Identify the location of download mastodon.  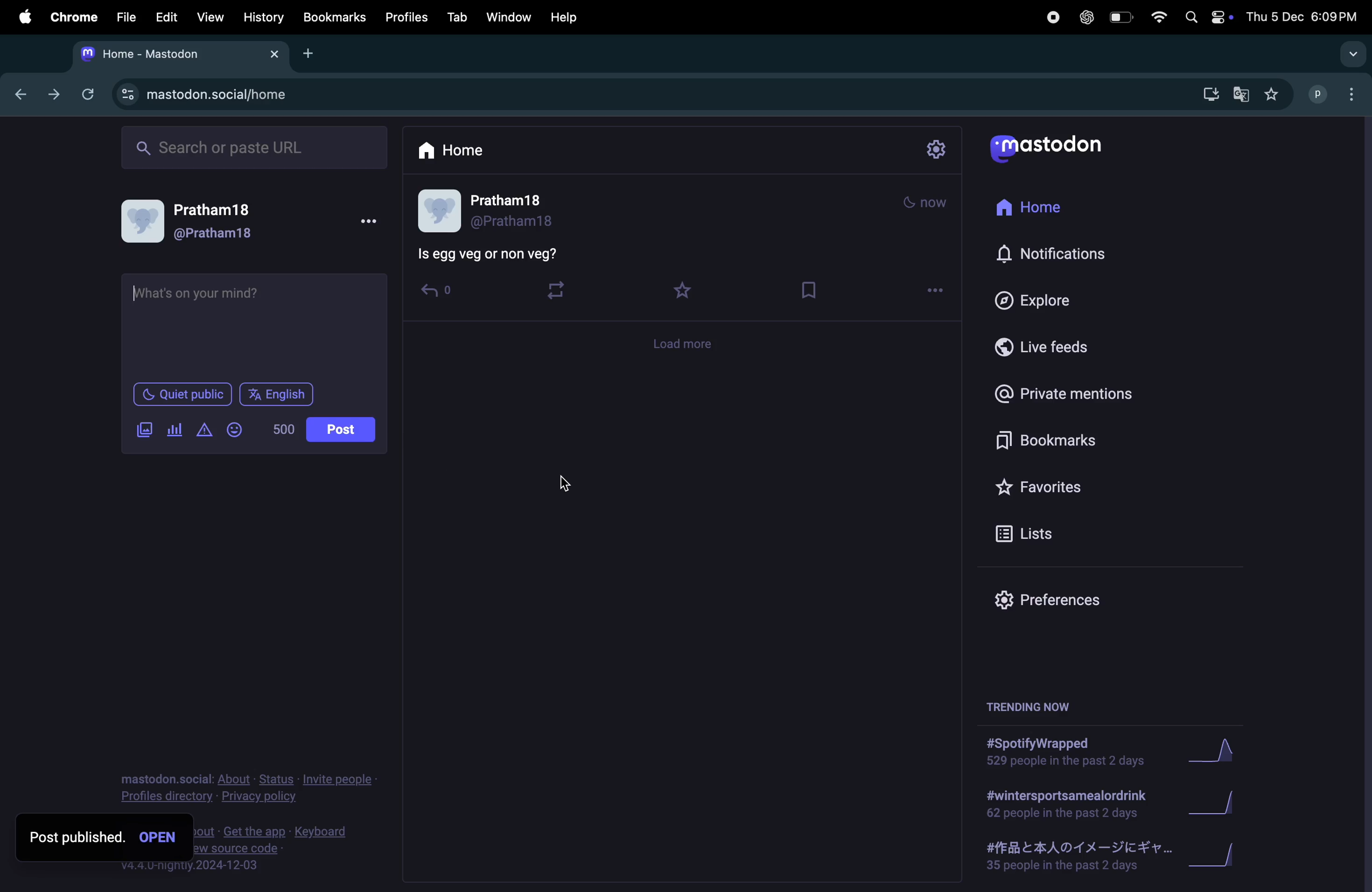
(1208, 94).